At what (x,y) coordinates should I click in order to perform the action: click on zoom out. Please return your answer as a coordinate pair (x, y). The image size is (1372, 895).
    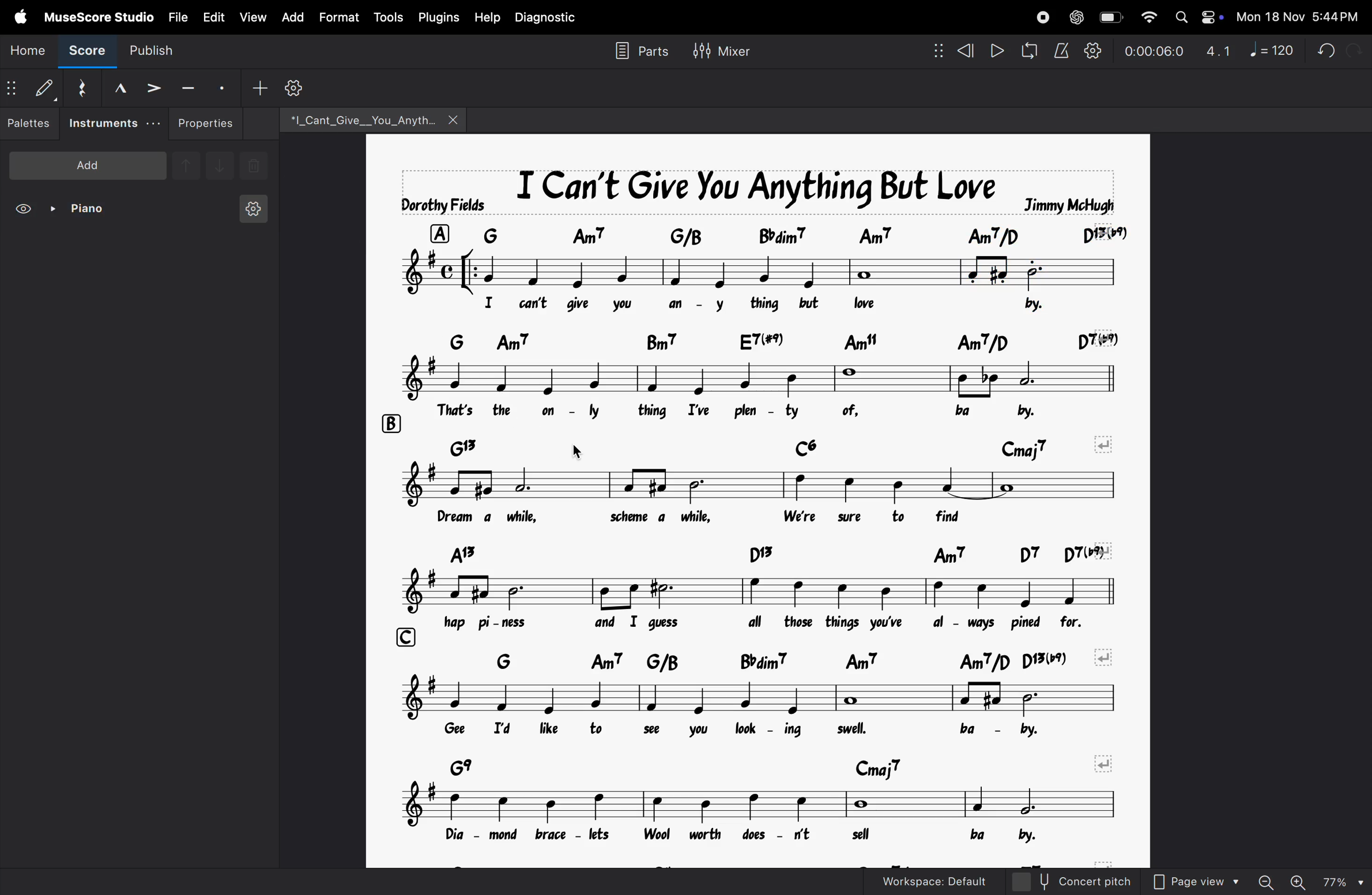
    Looking at the image, I should click on (1265, 882).